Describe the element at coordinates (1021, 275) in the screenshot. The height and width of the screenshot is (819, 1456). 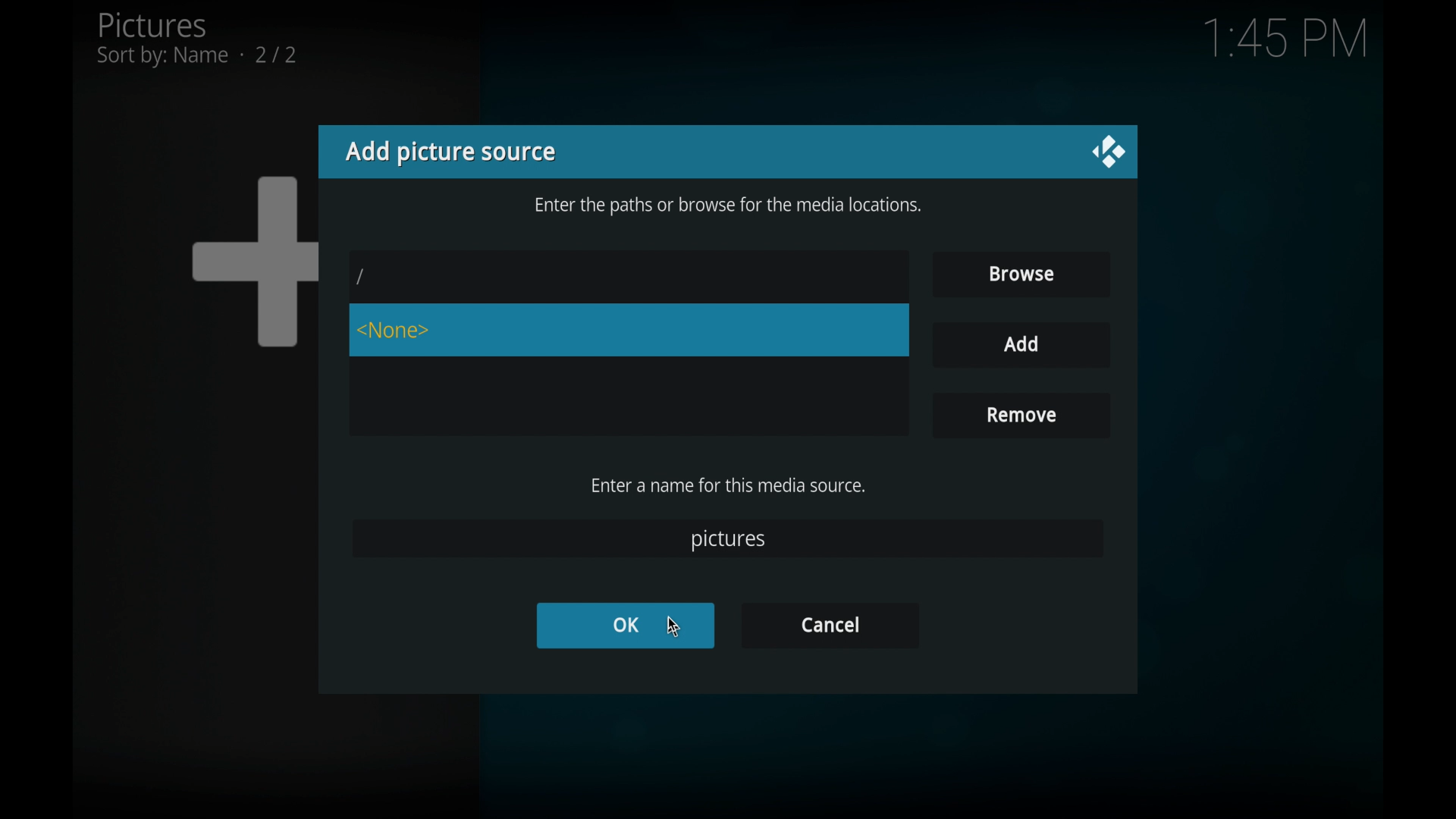
I see `browse` at that location.